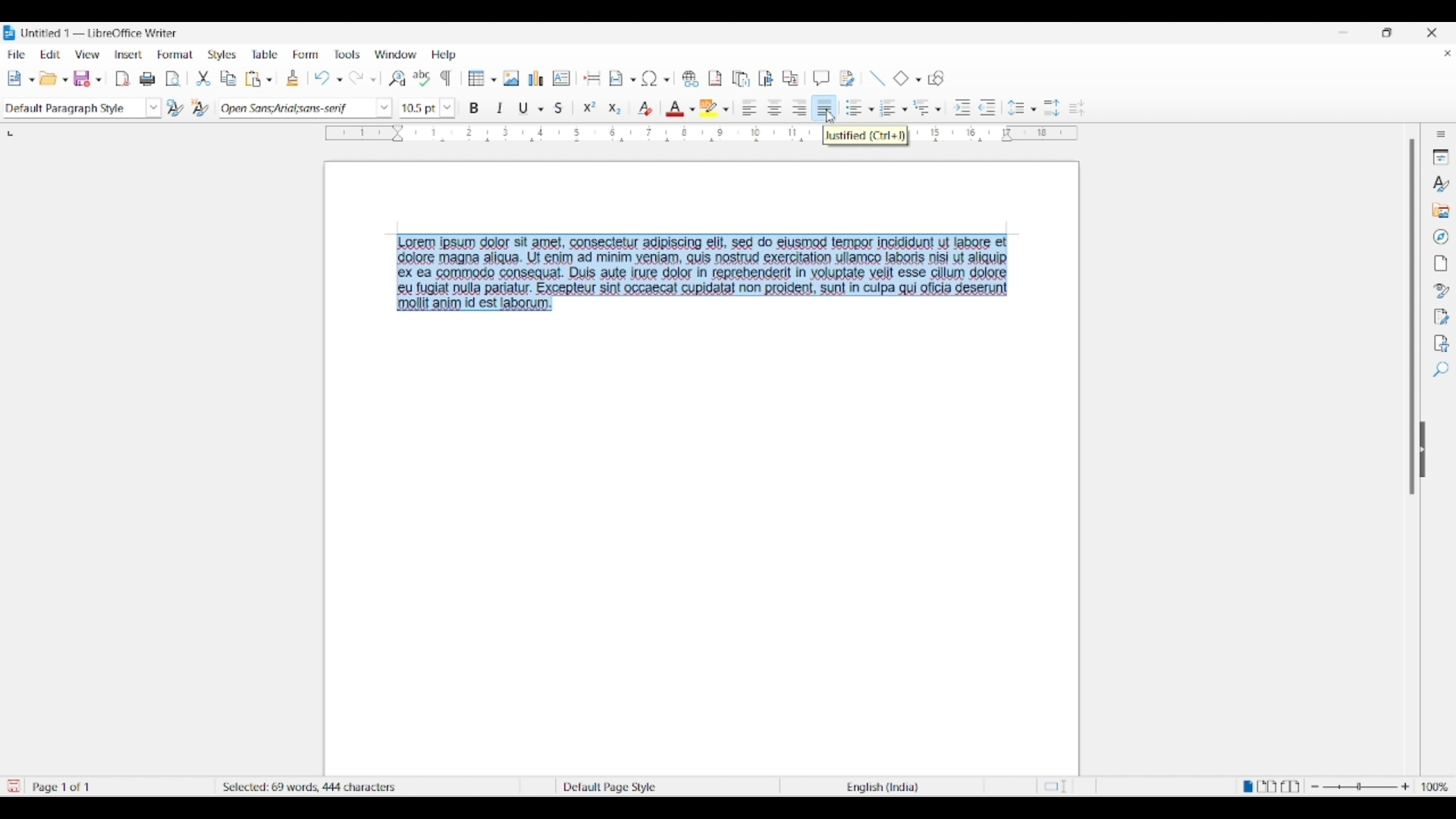 The image size is (1456, 819). I want to click on Increase line spacing, so click(1052, 108).